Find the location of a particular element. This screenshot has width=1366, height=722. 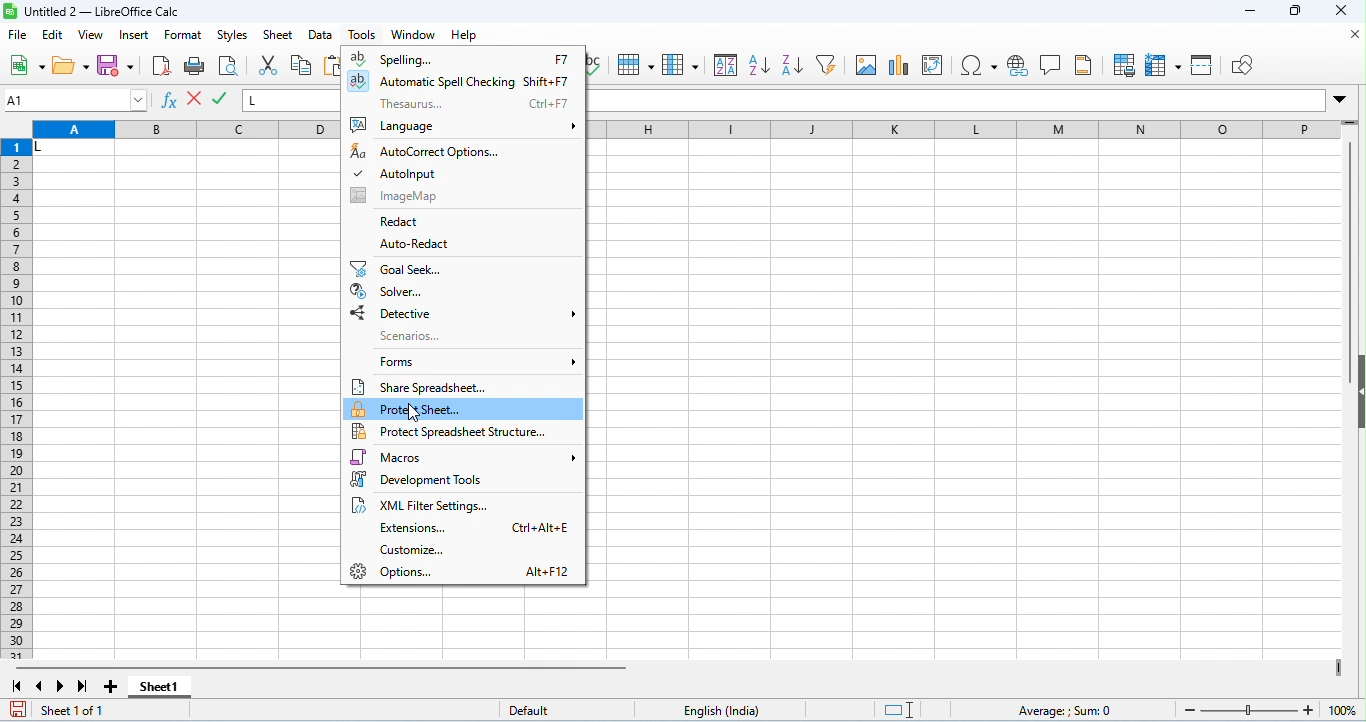

export pdf is located at coordinates (161, 65).